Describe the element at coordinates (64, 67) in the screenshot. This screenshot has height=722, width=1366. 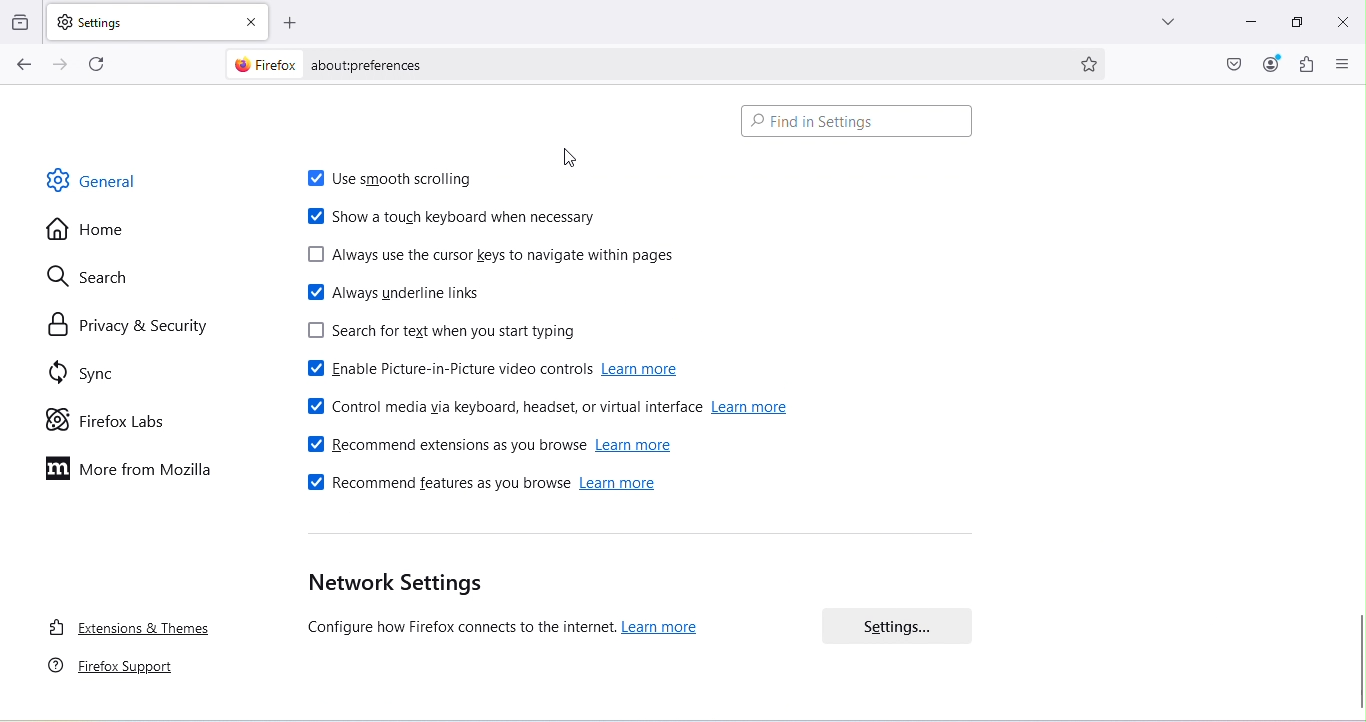
I see `Go forward one page` at that location.